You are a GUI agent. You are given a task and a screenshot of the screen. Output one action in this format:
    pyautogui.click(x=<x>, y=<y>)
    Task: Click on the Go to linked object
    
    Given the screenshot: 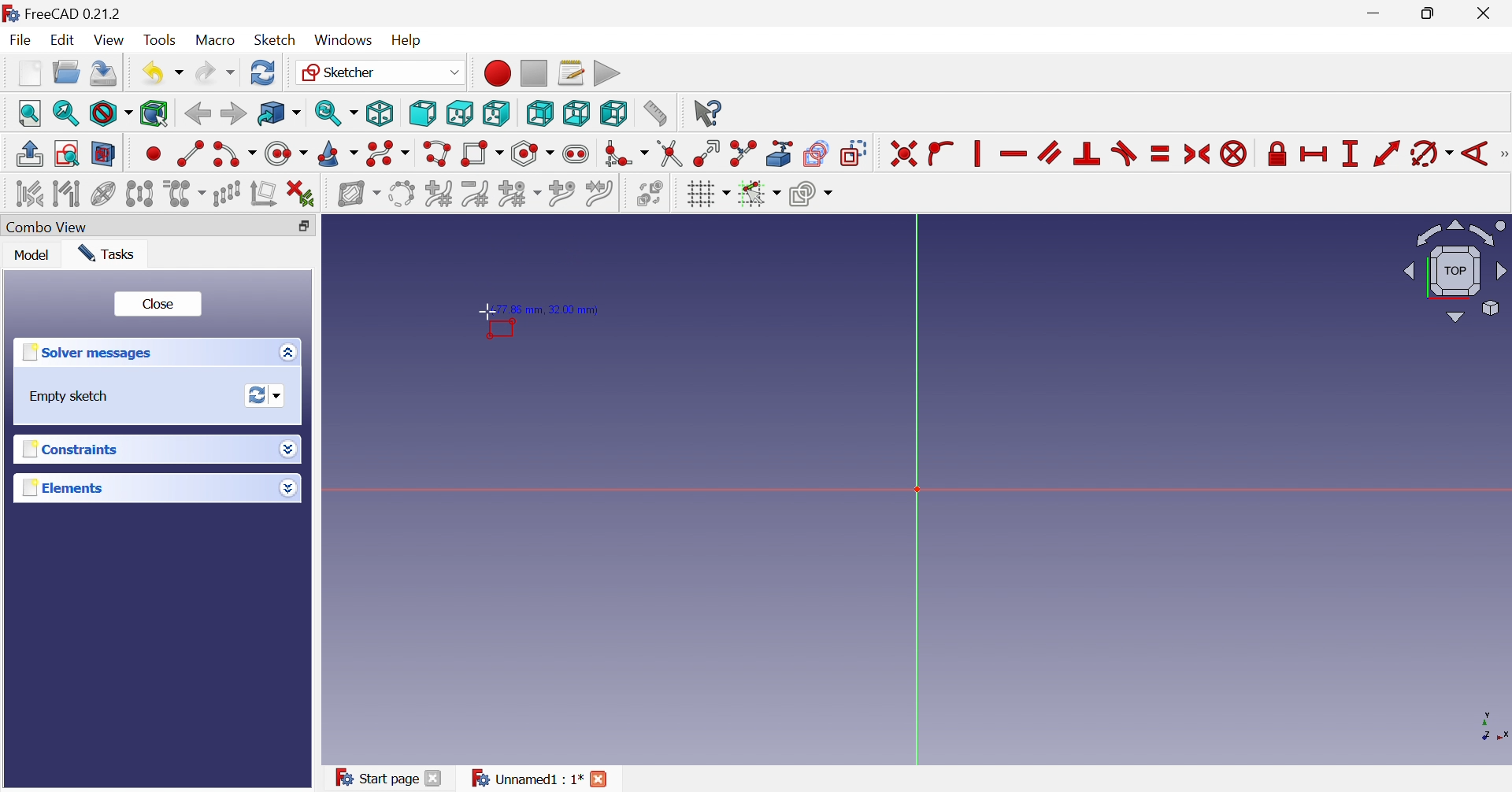 What is the action you would take?
    pyautogui.click(x=279, y=114)
    